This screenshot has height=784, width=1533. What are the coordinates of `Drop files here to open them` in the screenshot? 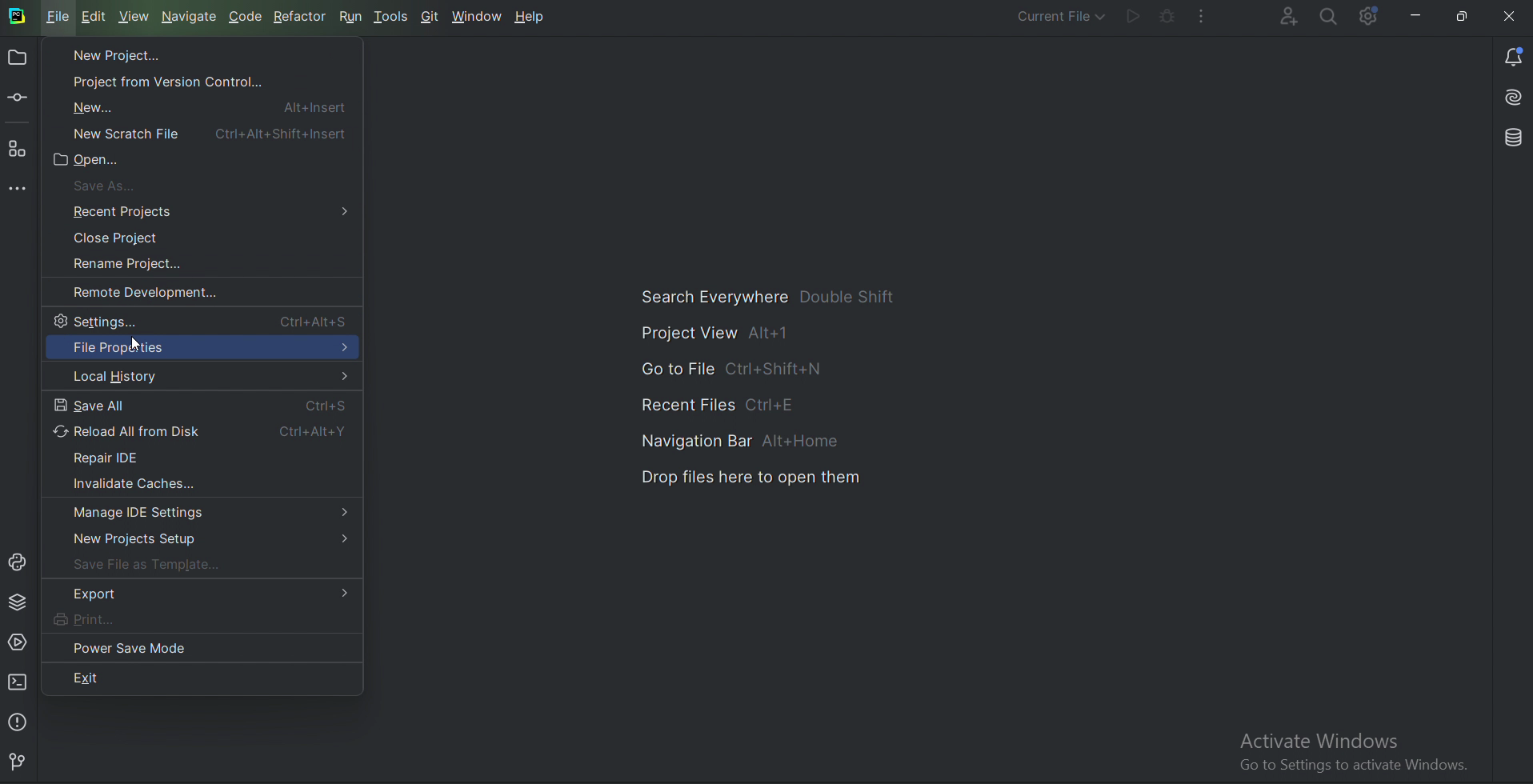 It's located at (755, 477).